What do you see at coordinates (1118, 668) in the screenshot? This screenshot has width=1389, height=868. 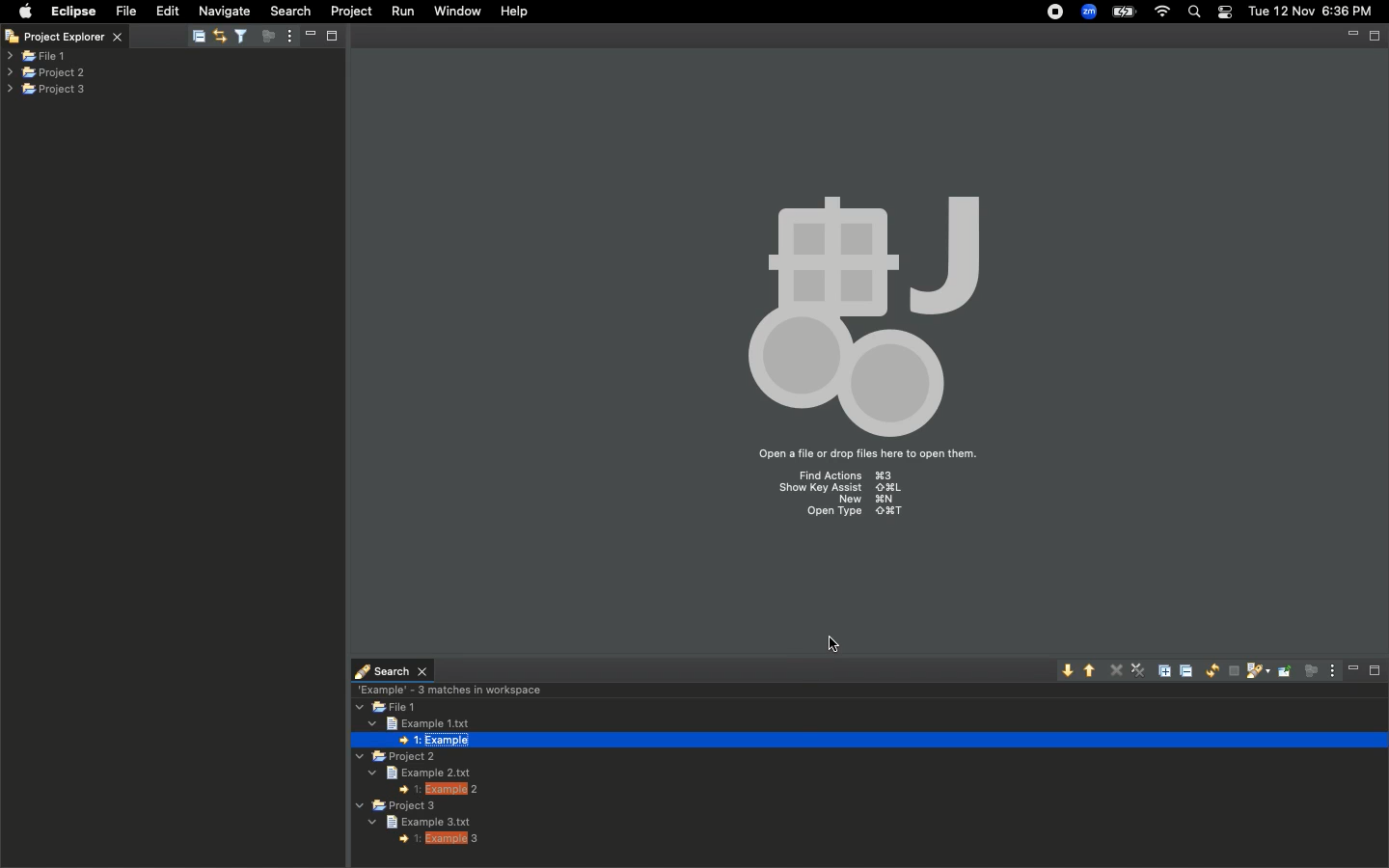 I see `Remove selected matches` at bounding box center [1118, 668].